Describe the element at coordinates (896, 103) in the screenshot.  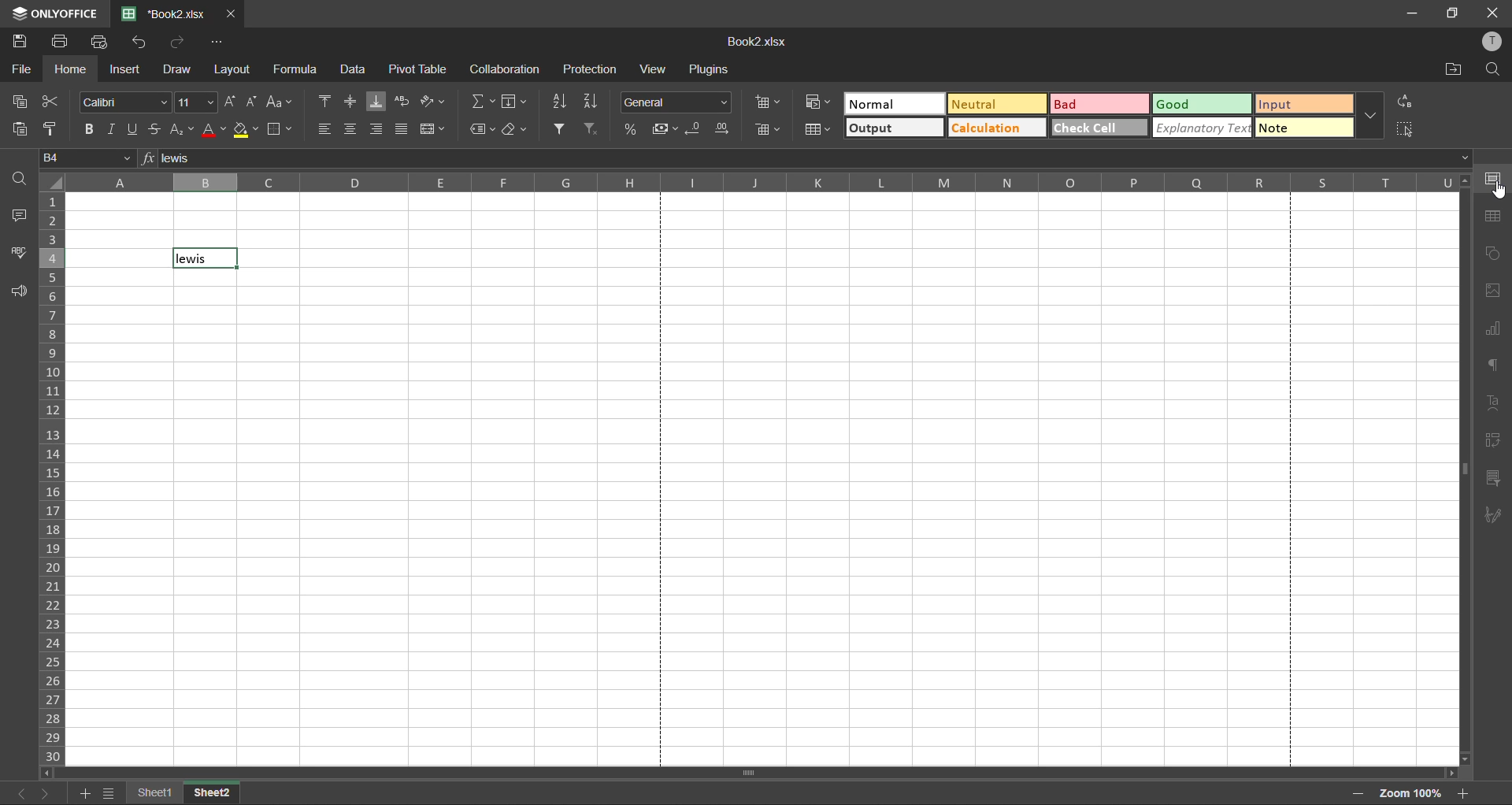
I see `normal` at that location.